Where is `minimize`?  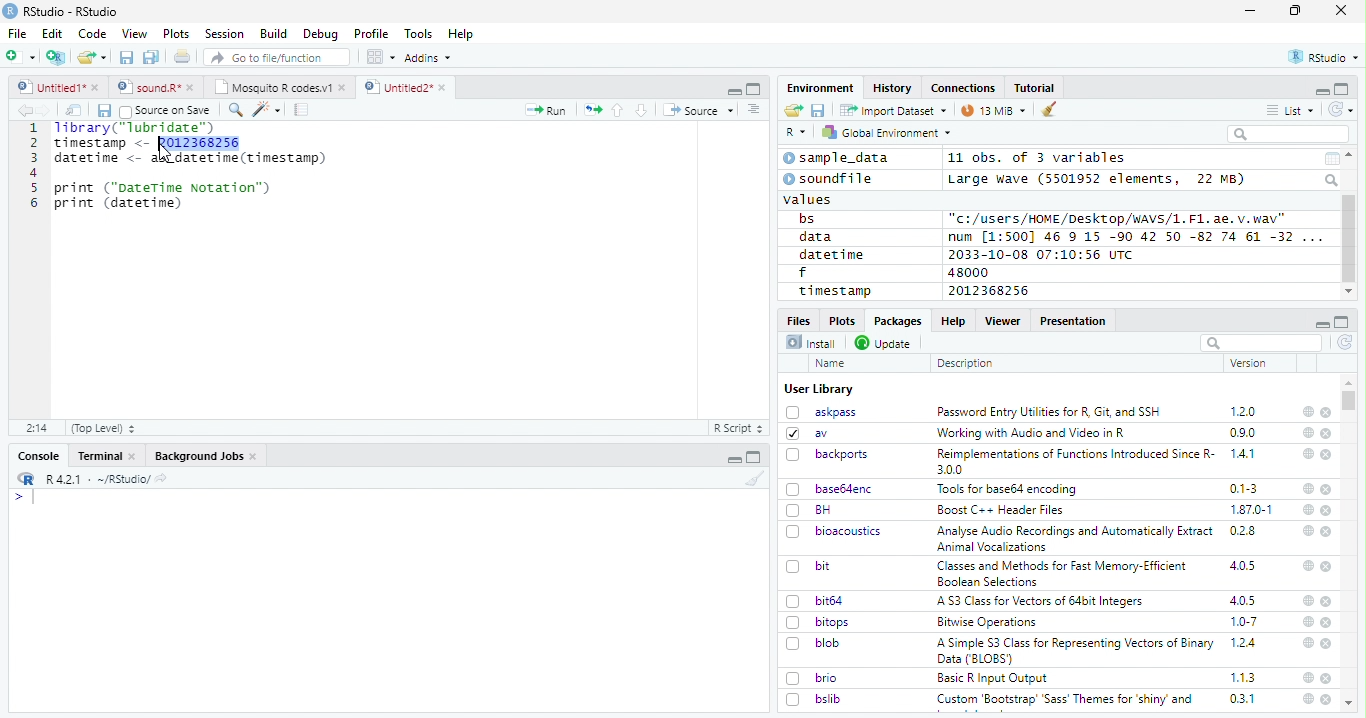 minimize is located at coordinates (733, 89).